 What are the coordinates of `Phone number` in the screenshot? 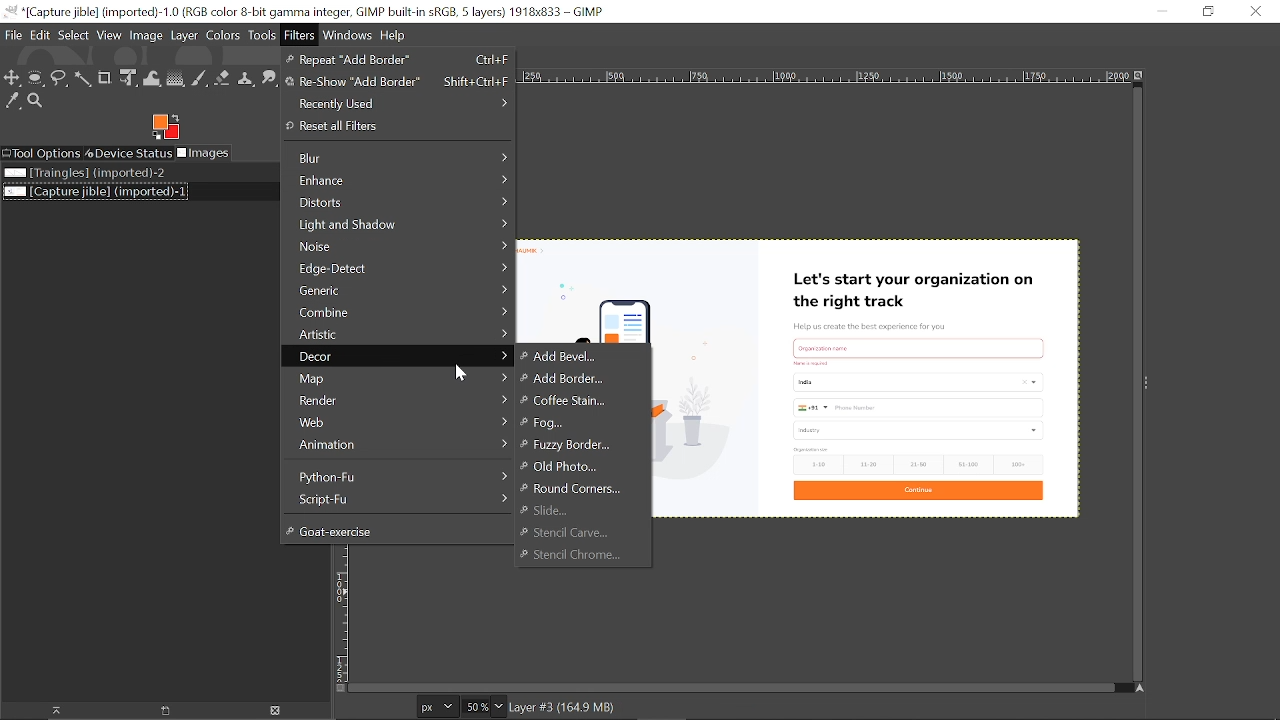 It's located at (921, 407).